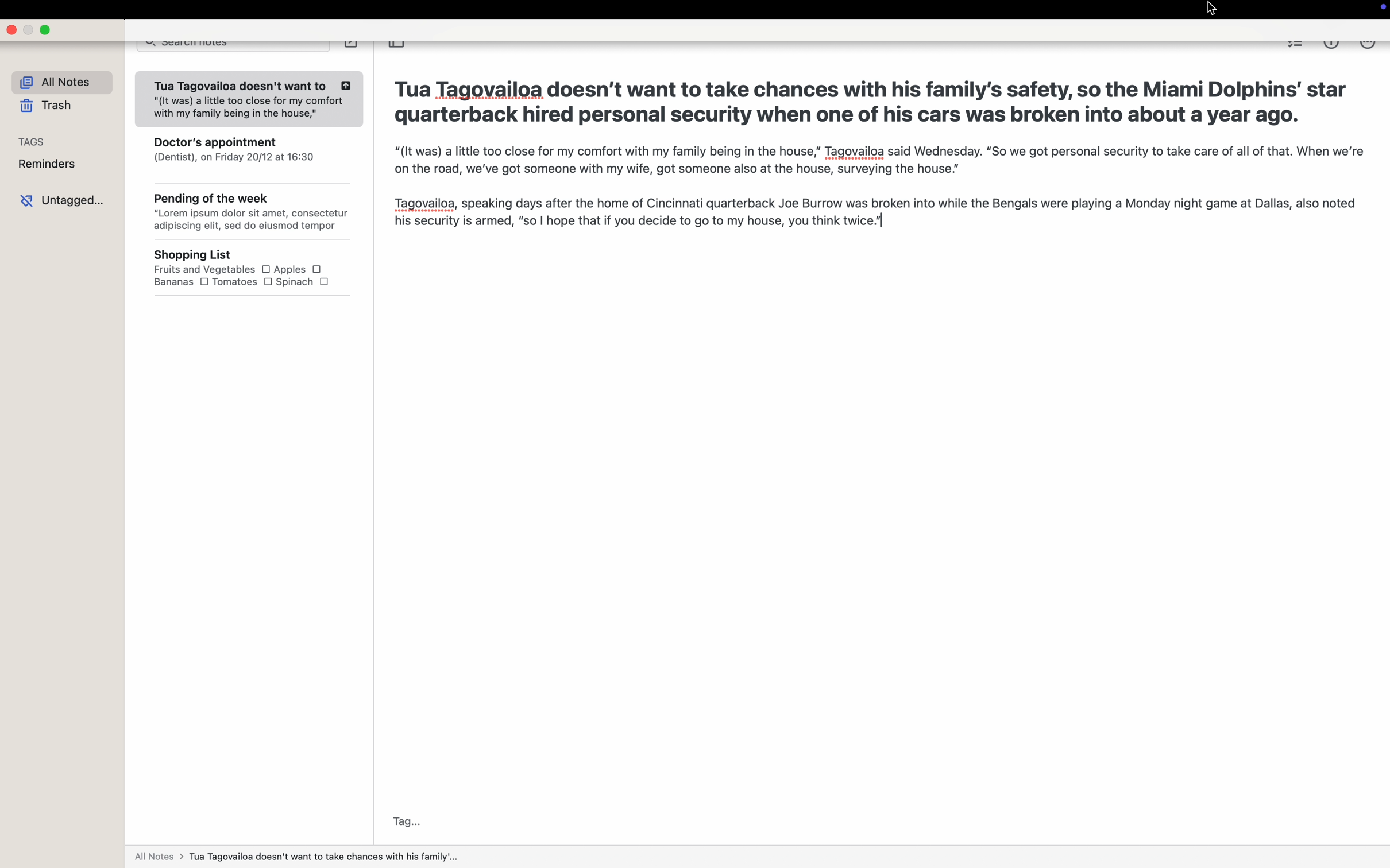 Image resolution: width=1390 pixels, height=868 pixels. What do you see at coordinates (10, 30) in the screenshot?
I see `close app` at bounding box center [10, 30].